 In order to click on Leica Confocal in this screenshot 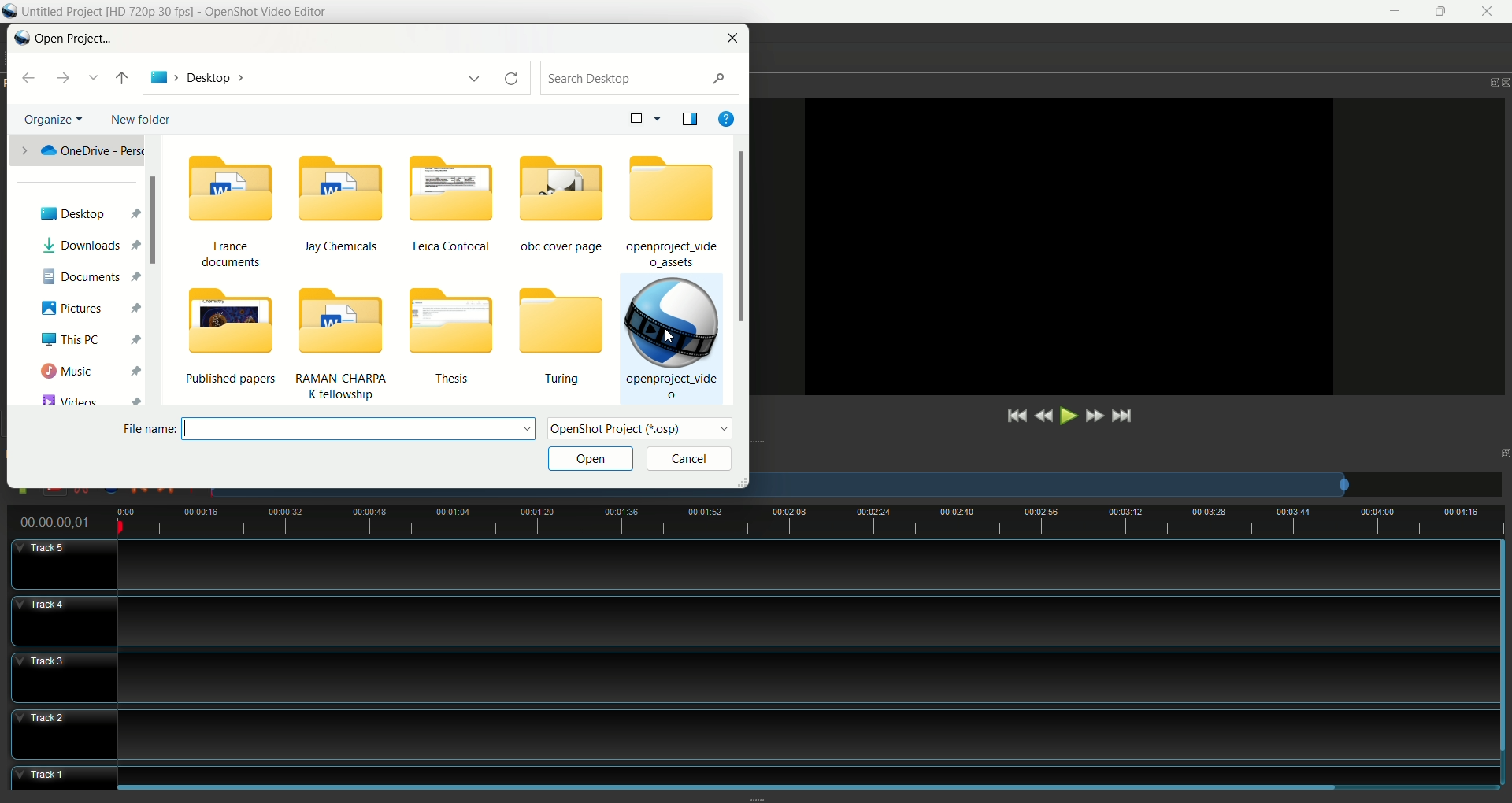, I will do `click(451, 204)`.